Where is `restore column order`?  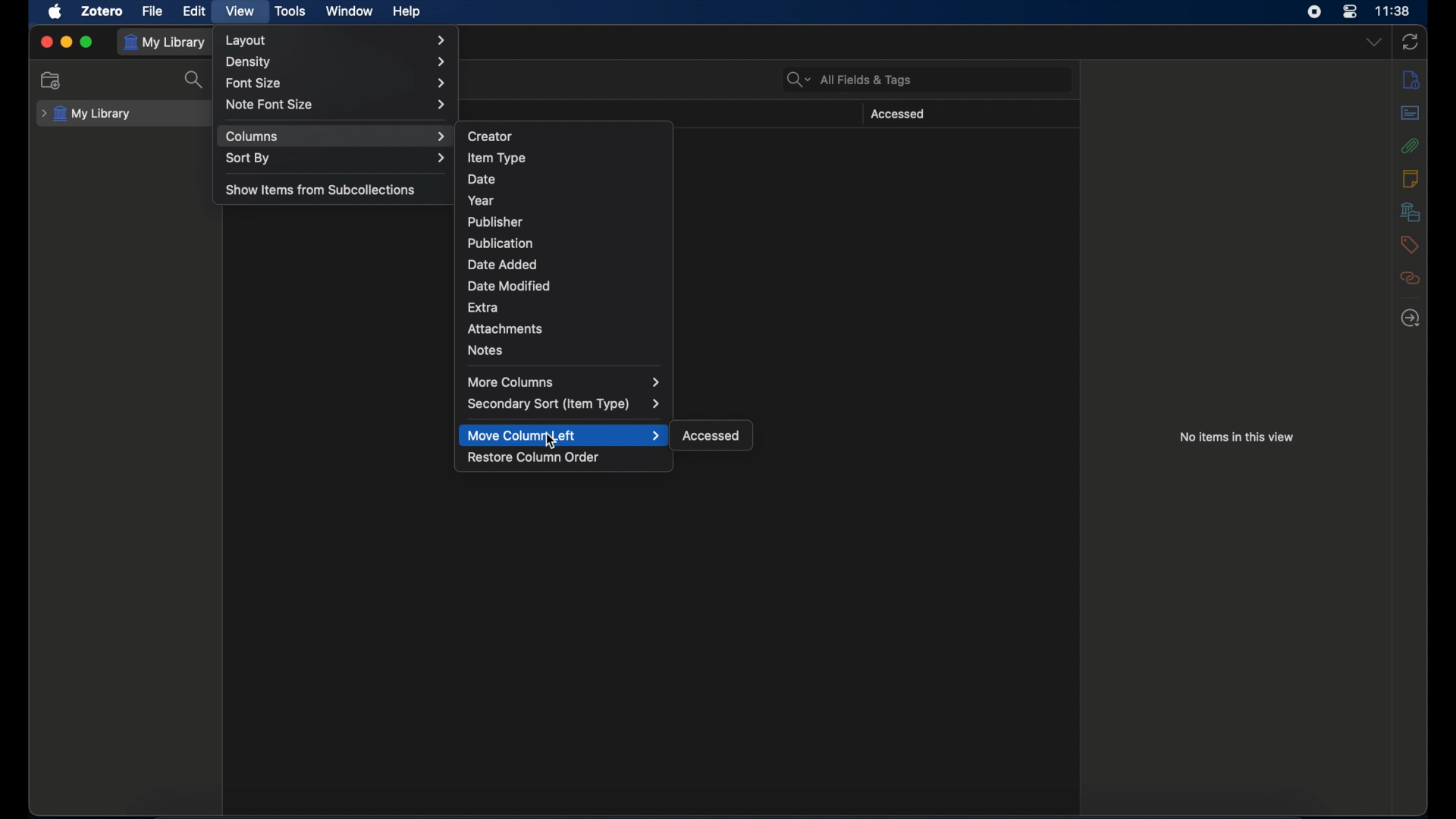 restore column order is located at coordinates (533, 457).